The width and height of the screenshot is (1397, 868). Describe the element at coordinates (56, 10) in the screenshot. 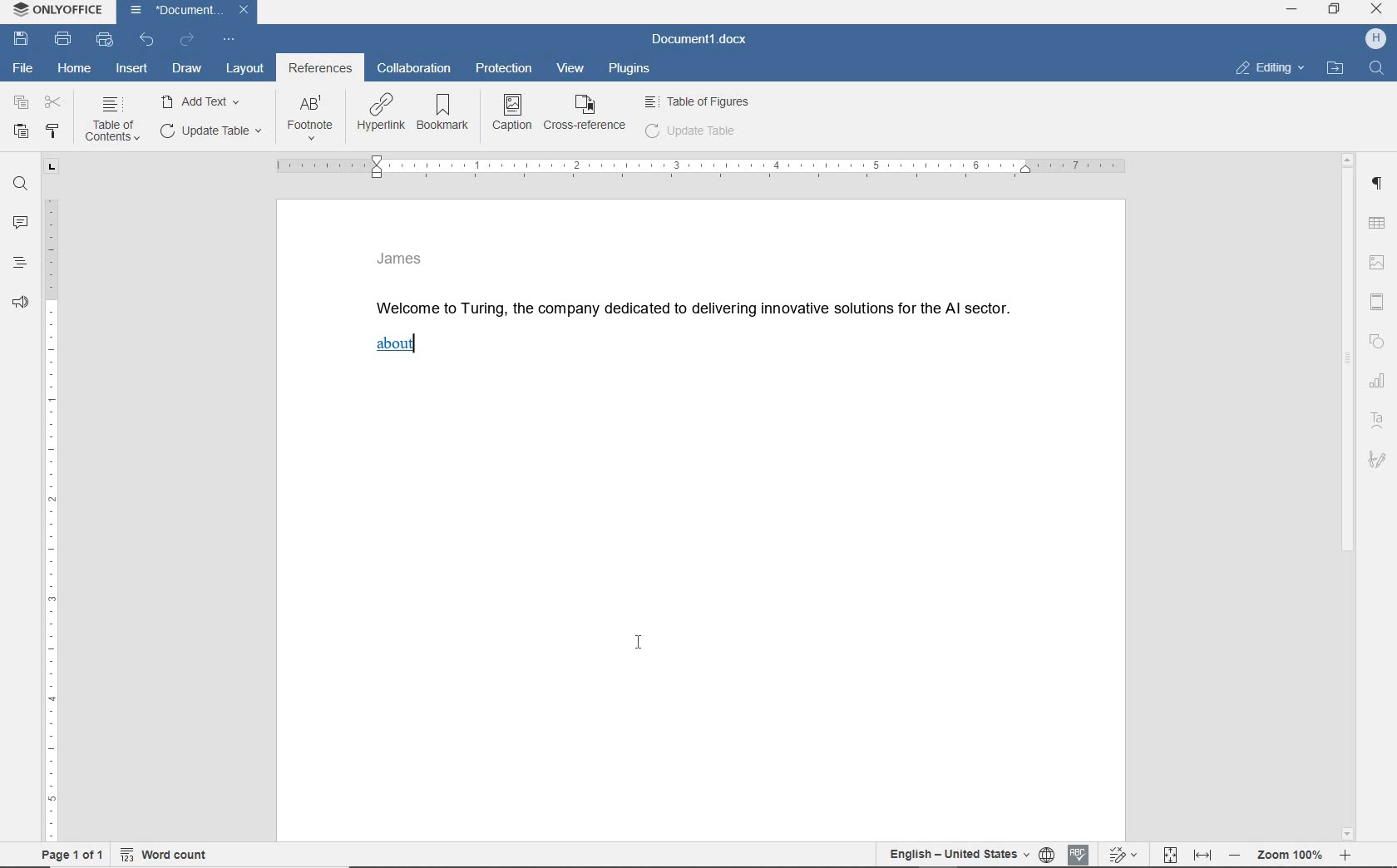

I see `ONLYOFFICE` at that location.